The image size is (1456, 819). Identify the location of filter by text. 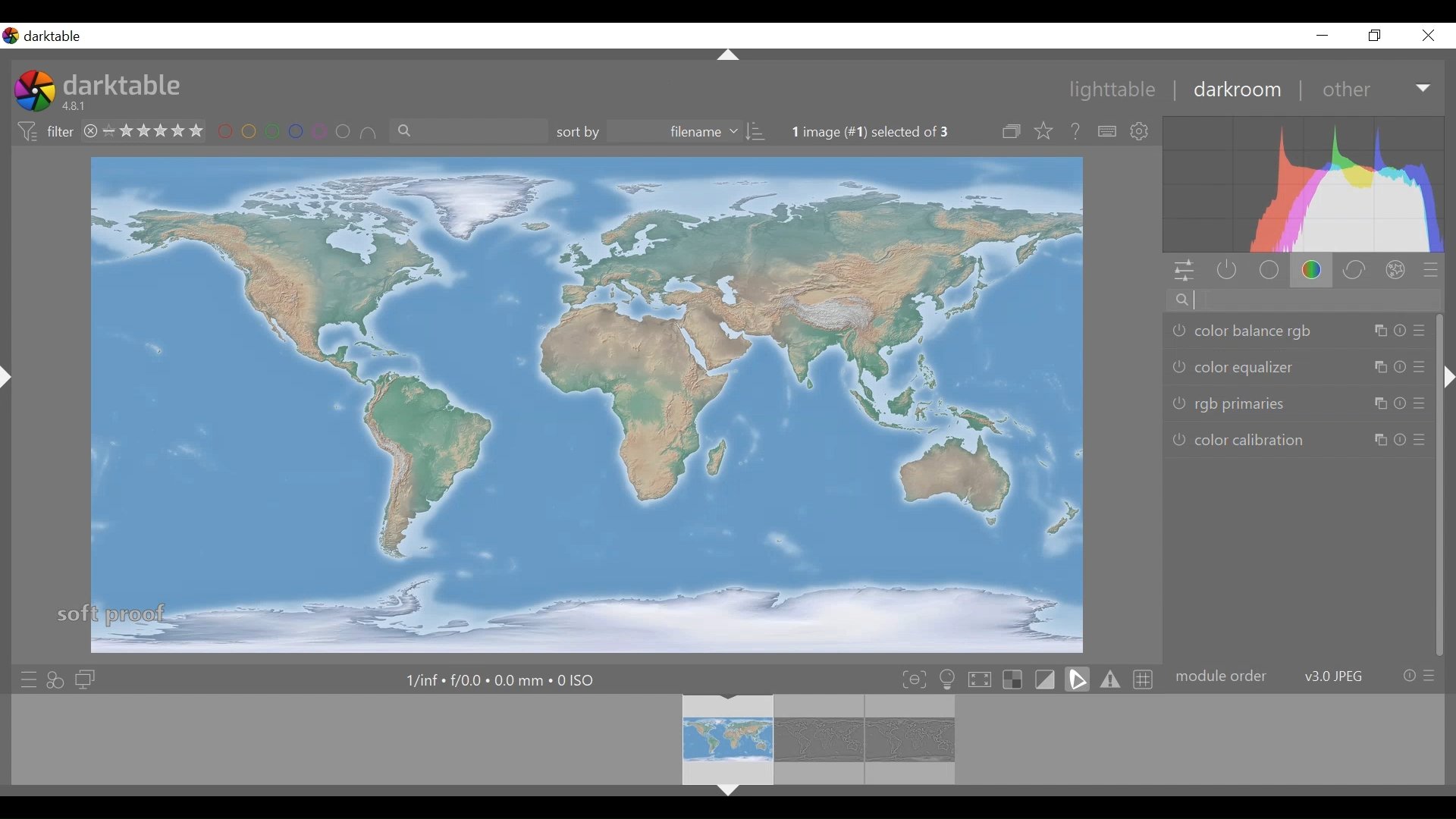
(468, 133).